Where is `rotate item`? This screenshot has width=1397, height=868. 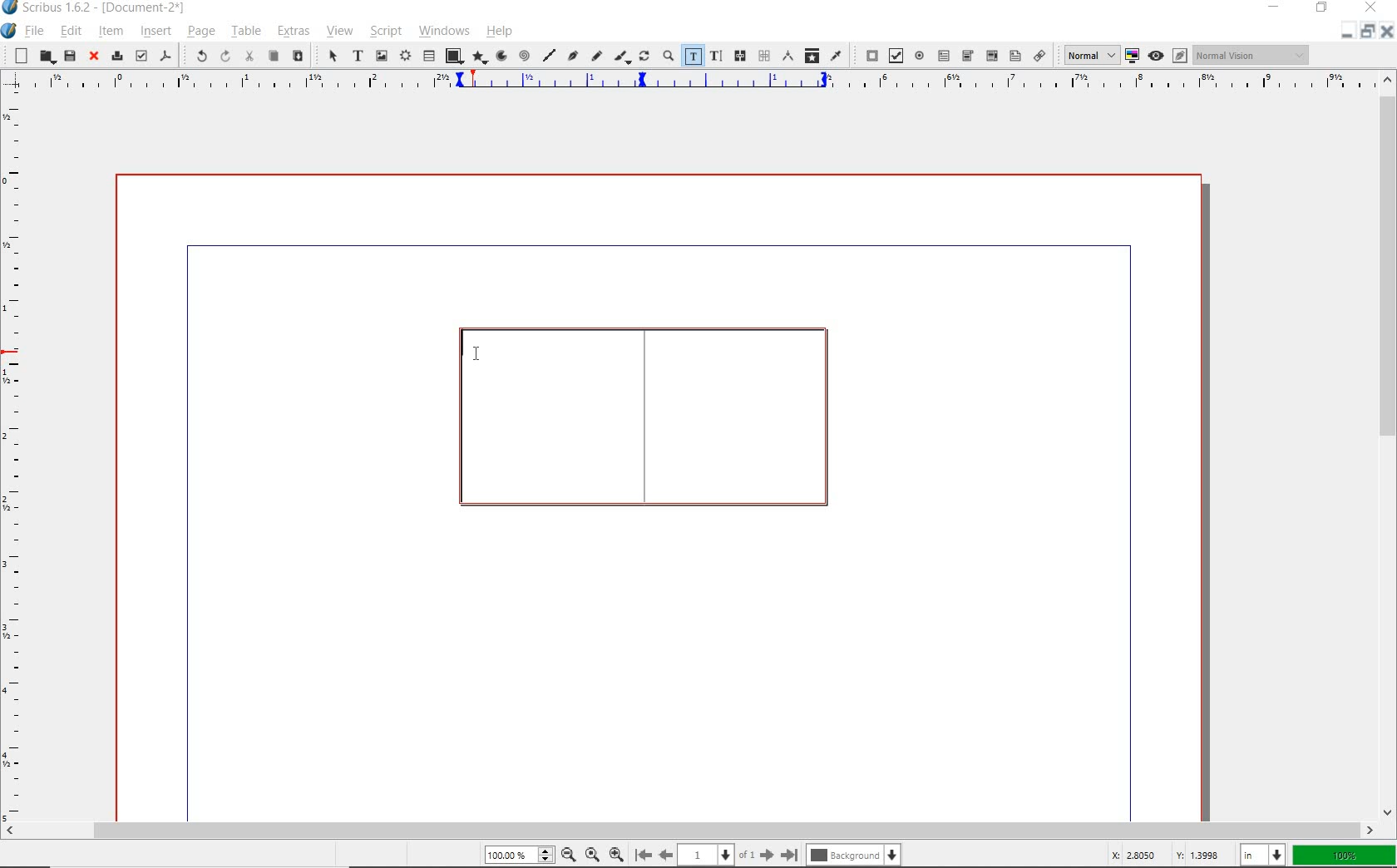 rotate item is located at coordinates (643, 57).